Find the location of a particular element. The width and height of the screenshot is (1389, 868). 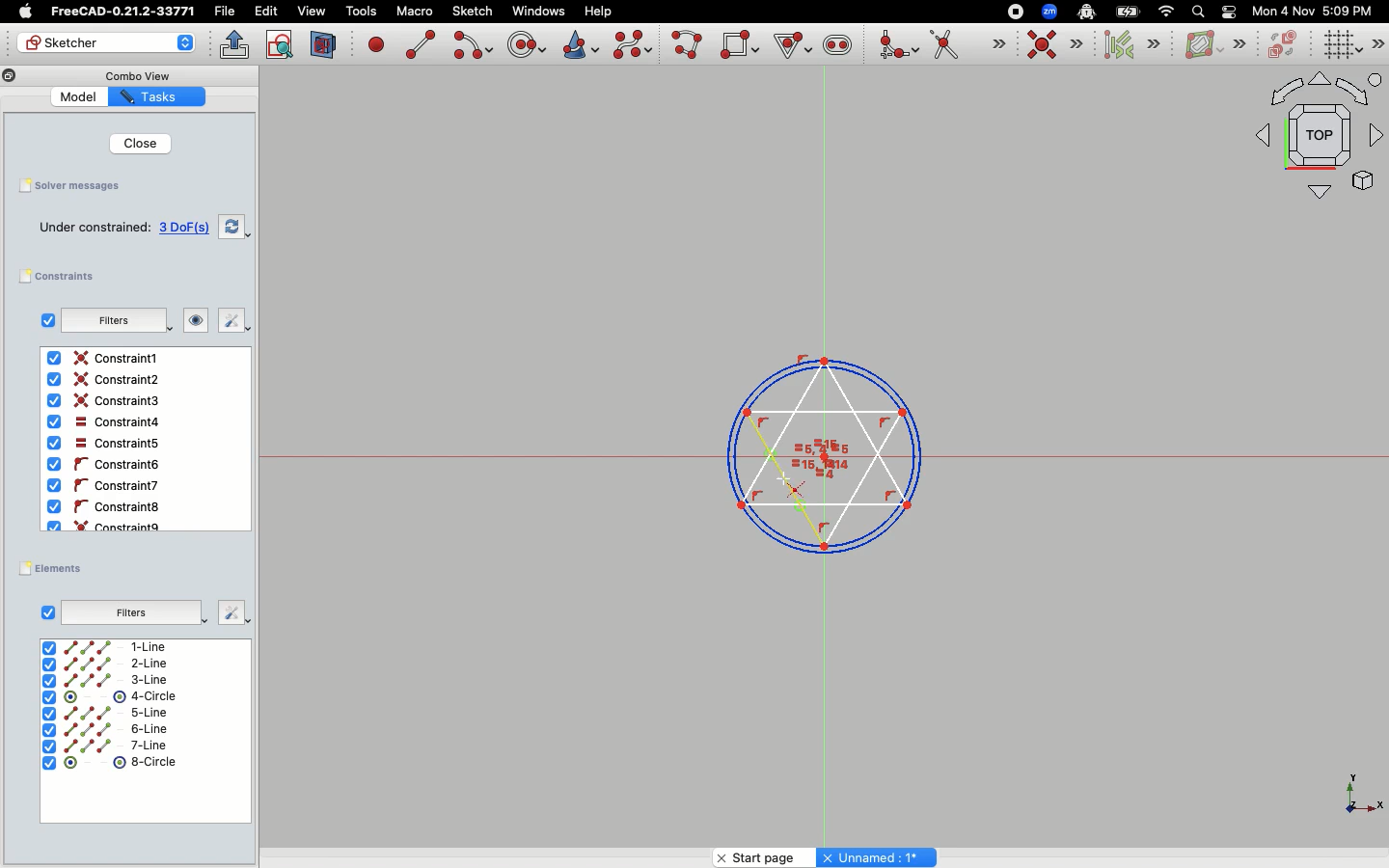

3-Line is located at coordinates (118, 680).